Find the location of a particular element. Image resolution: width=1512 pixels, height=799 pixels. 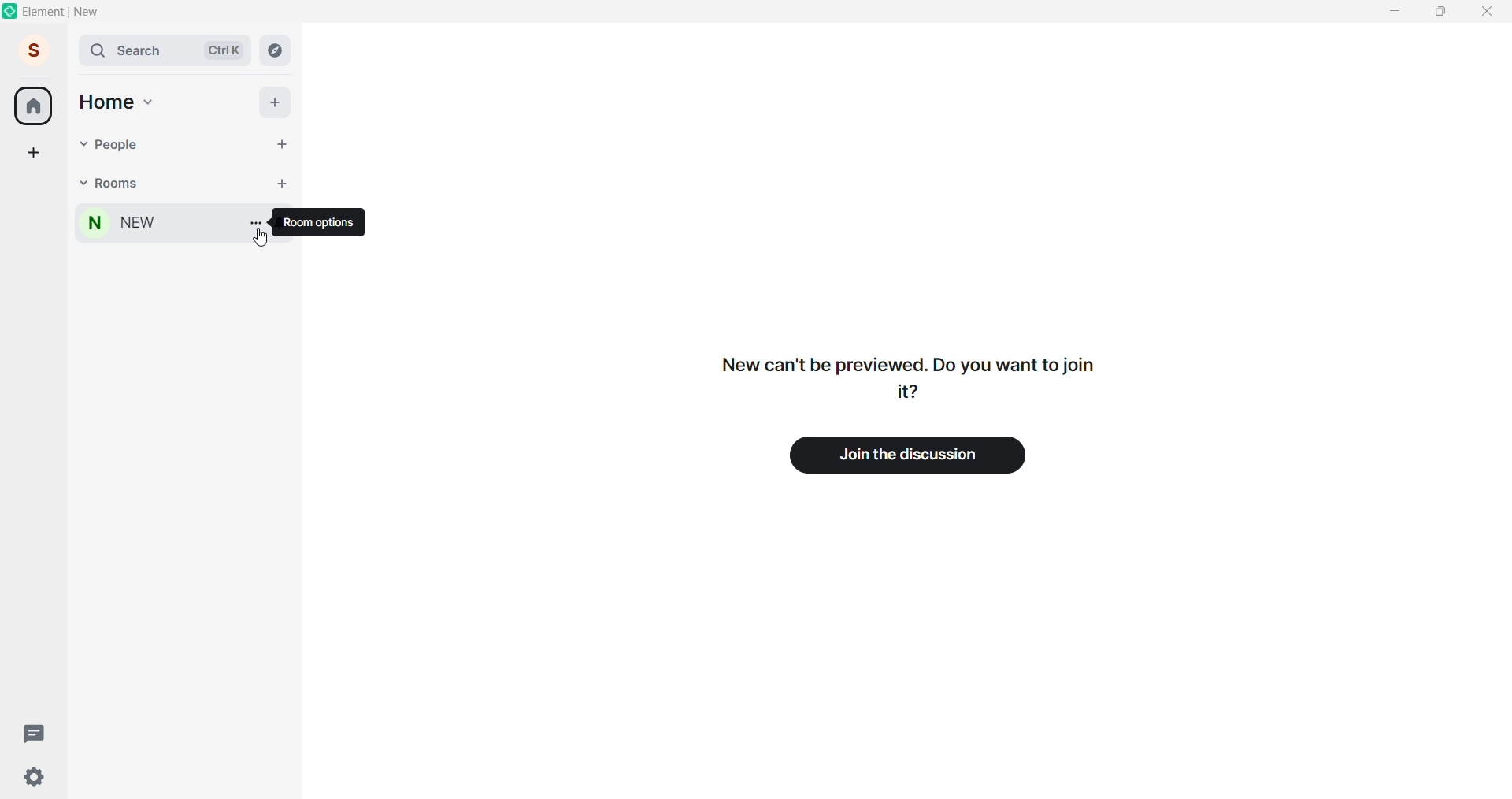

search is located at coordinates (156, 49).